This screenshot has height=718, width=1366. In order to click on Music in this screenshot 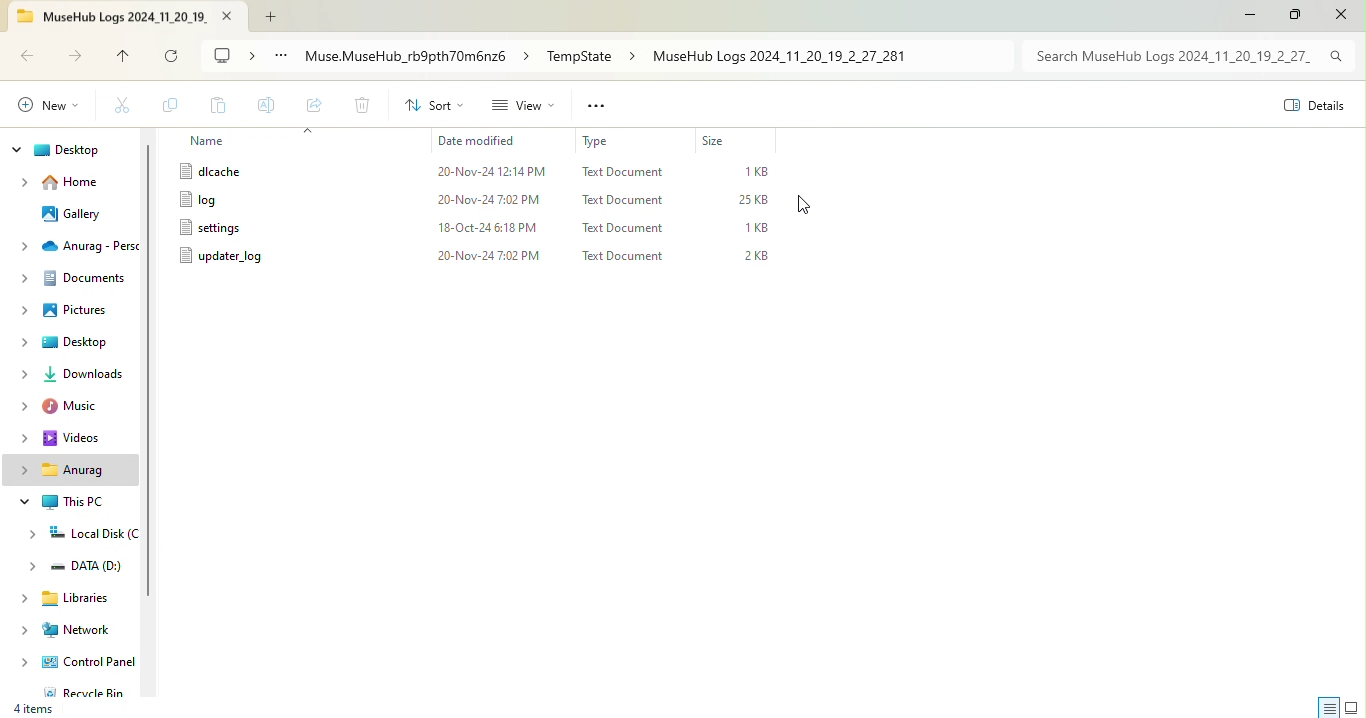, I will do `click(65, 402)`.